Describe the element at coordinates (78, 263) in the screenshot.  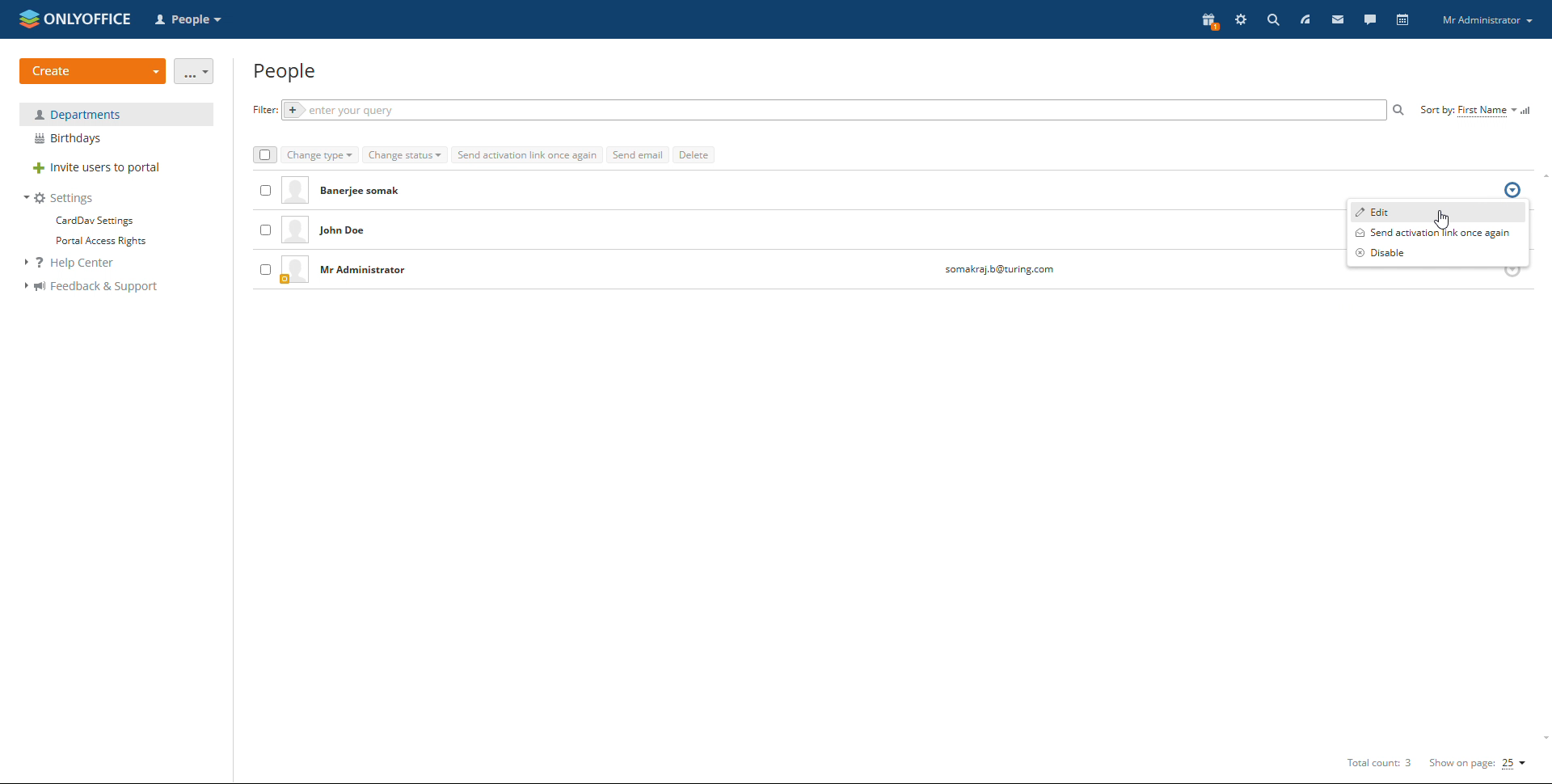
I see `help center` at that location.